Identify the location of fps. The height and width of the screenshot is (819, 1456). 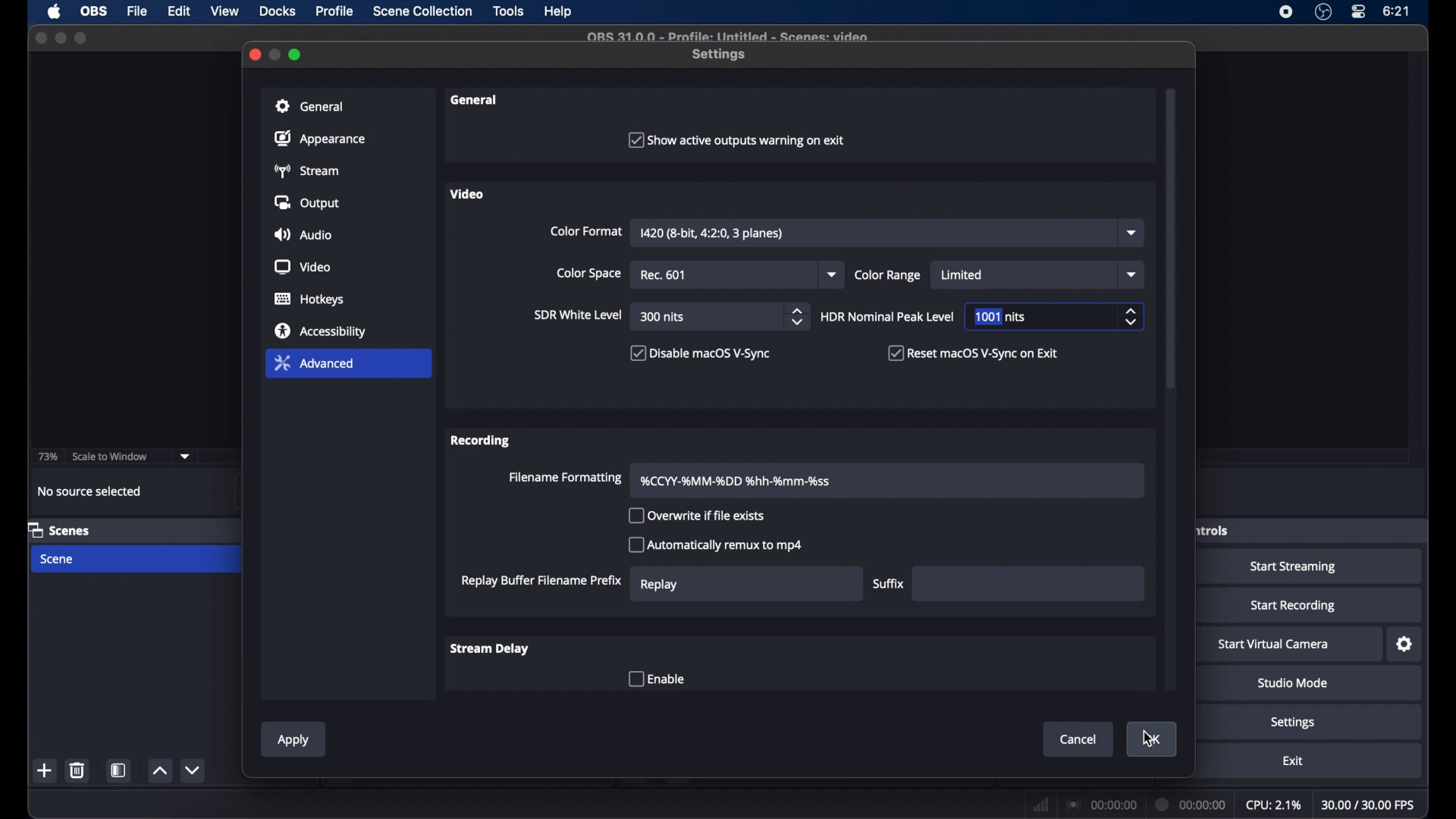
(1370, 805).